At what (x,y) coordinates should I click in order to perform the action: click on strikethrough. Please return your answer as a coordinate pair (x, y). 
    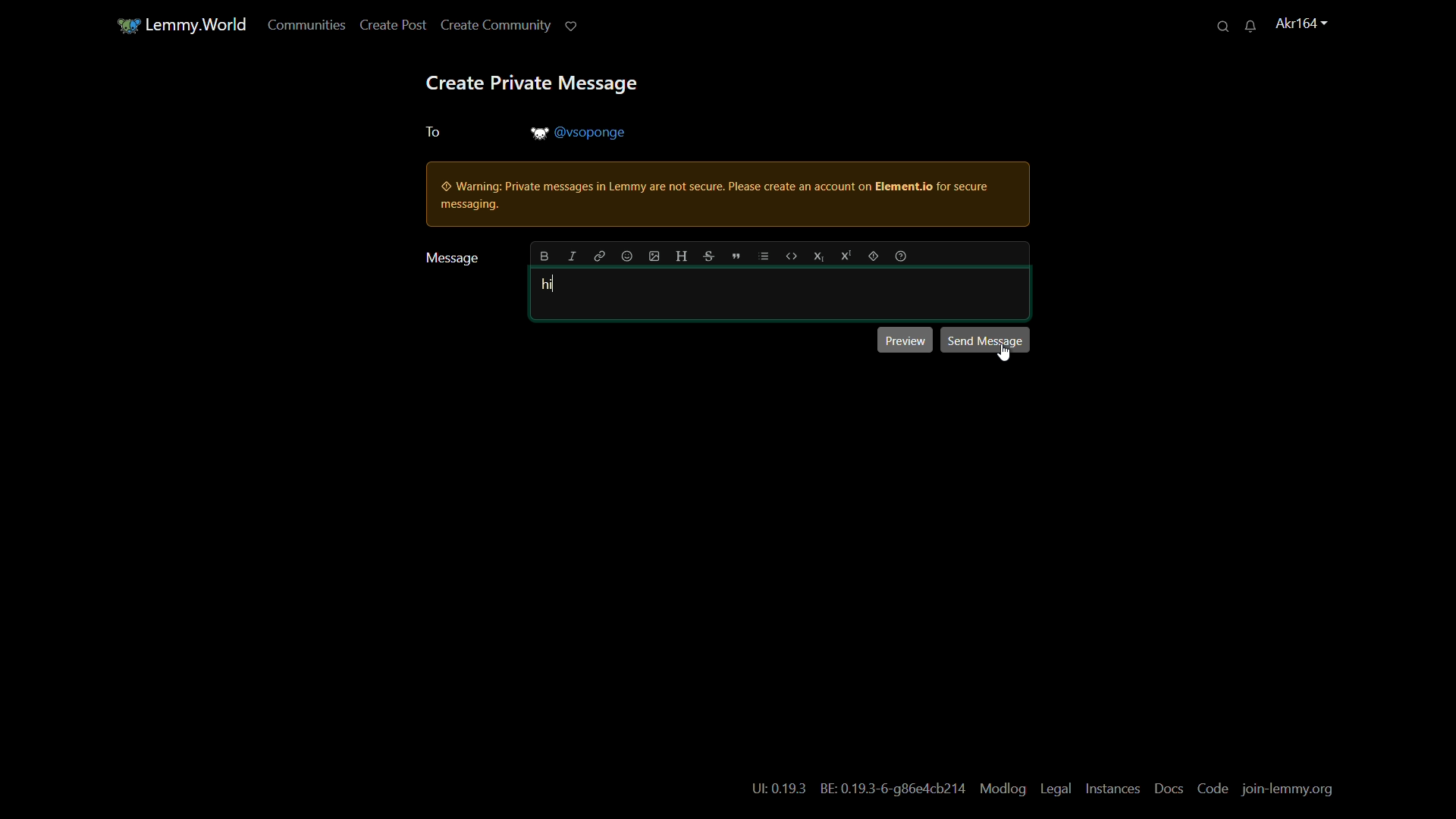
    Looking at the image, I should click on (707, 255).